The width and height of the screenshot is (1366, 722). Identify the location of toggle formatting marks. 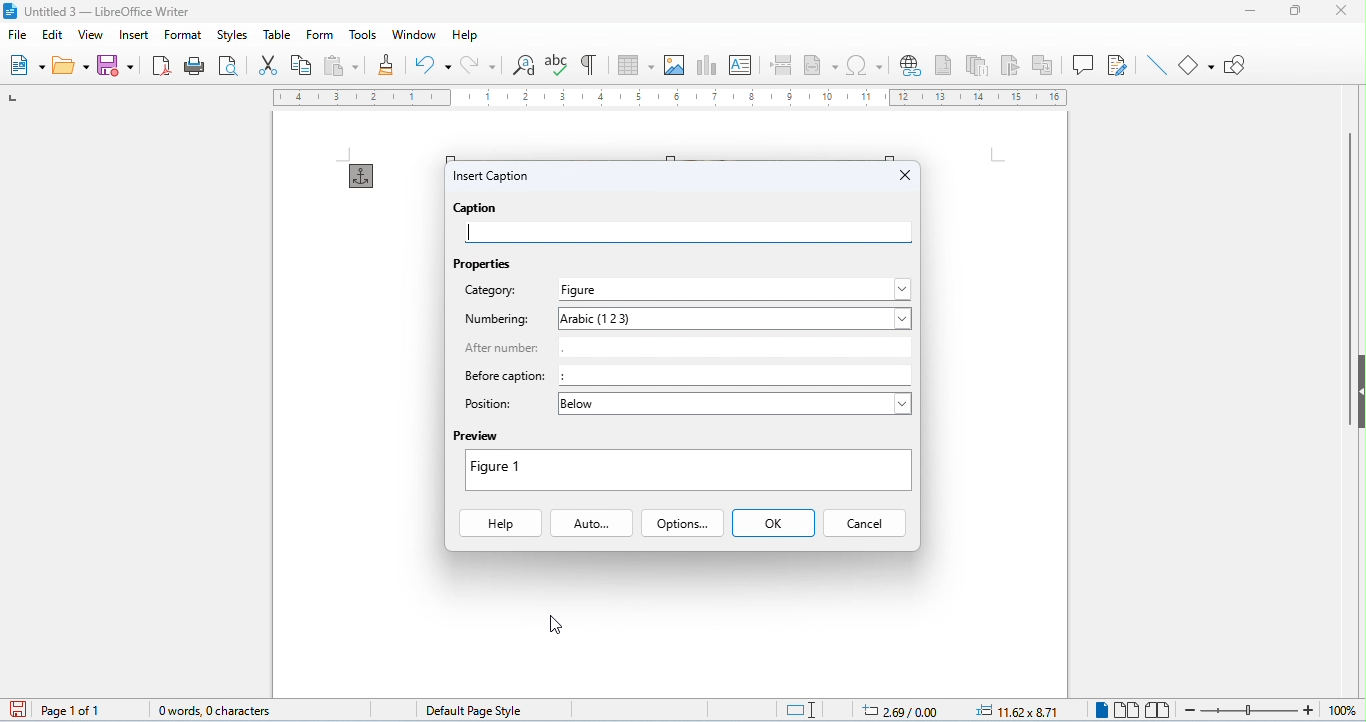
(590, 64).